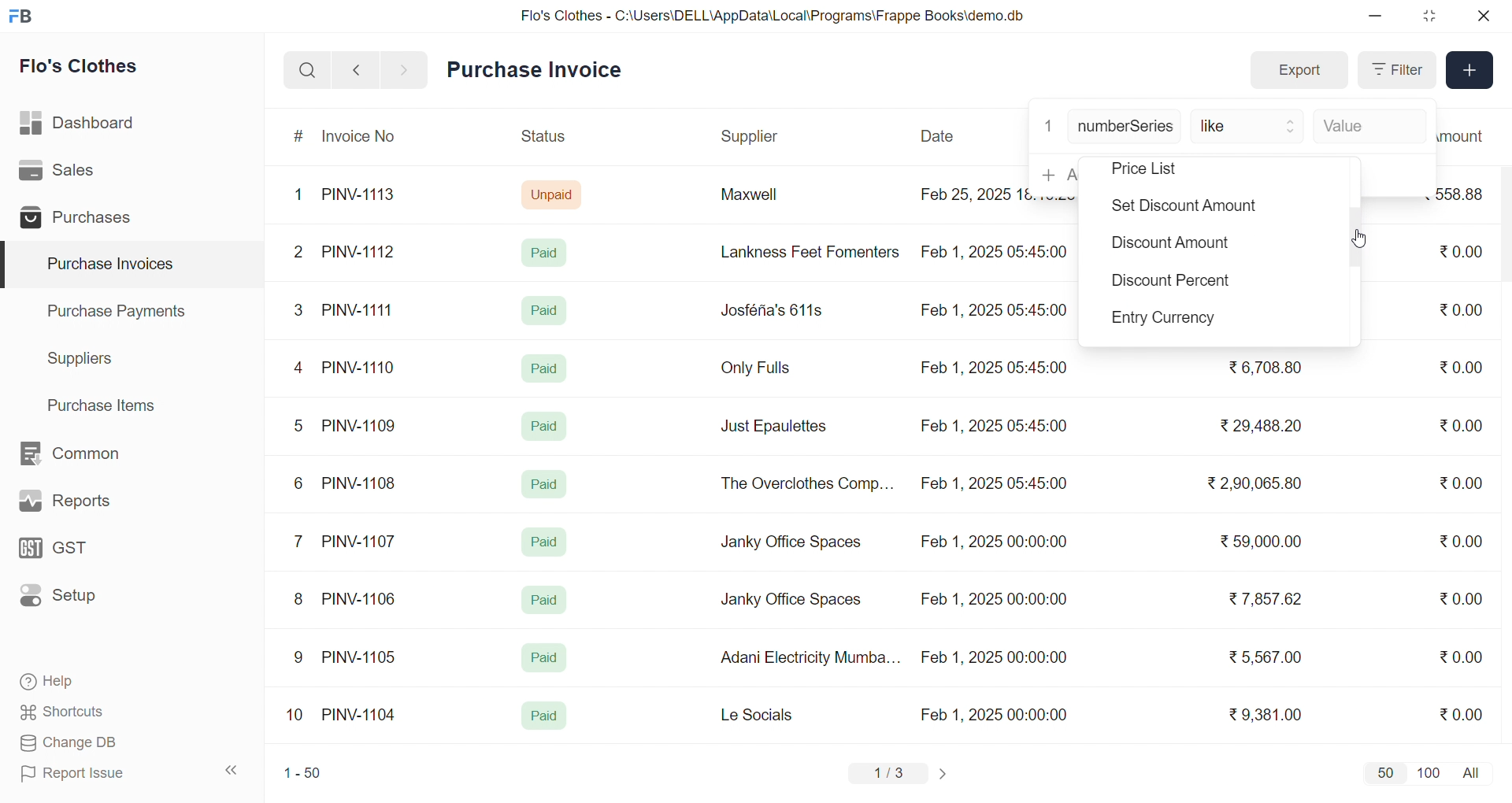 This screenshot has height=803, width=1512. What do you see at coordinates (307, 70) in the screenshot?
I see `search` at bounding box center [307, 70].